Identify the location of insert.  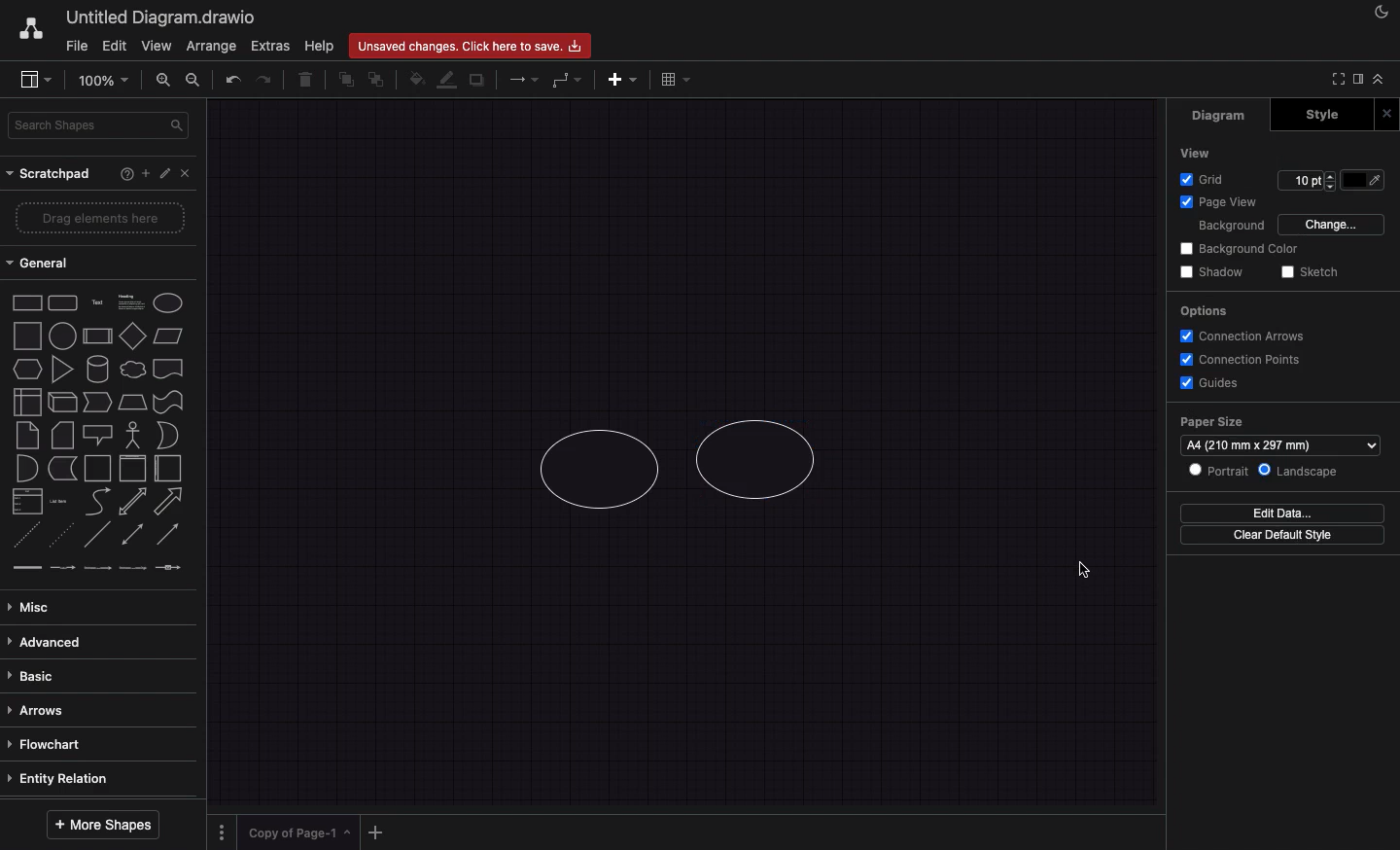
(622, 79).